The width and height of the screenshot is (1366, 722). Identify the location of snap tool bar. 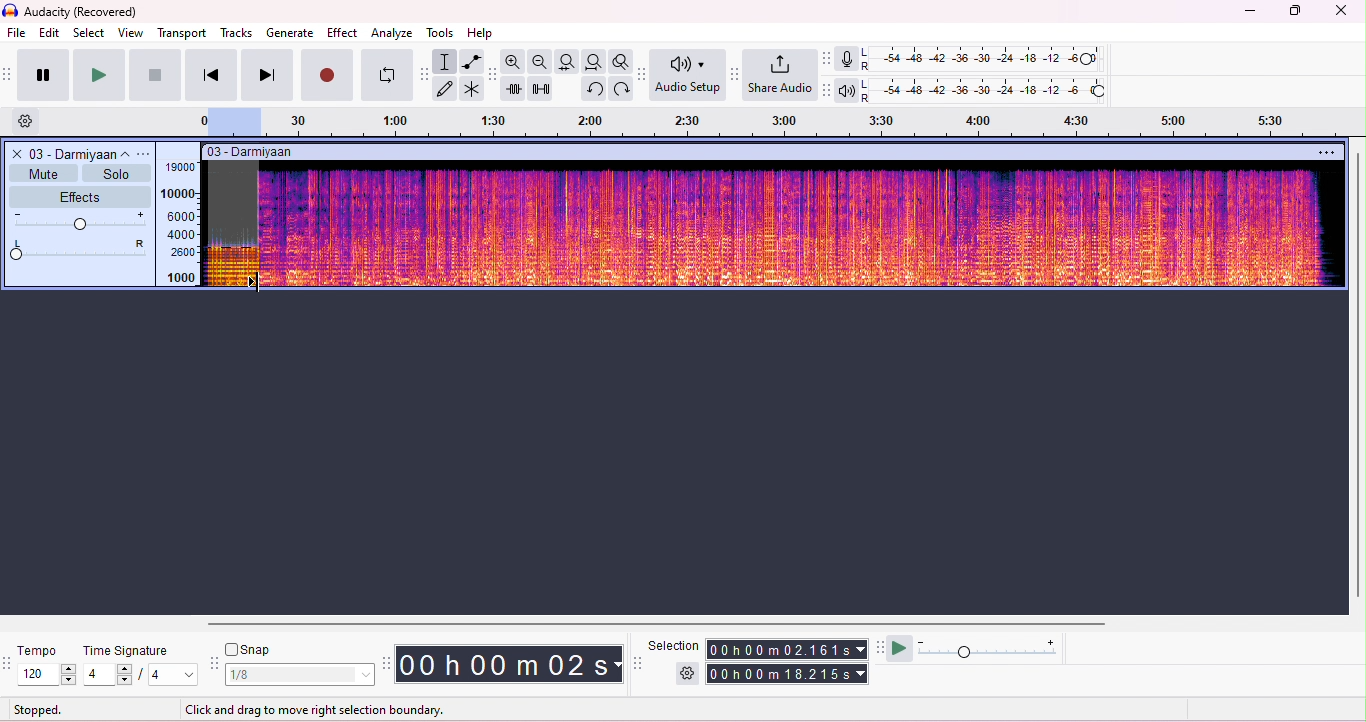
(215, 661).